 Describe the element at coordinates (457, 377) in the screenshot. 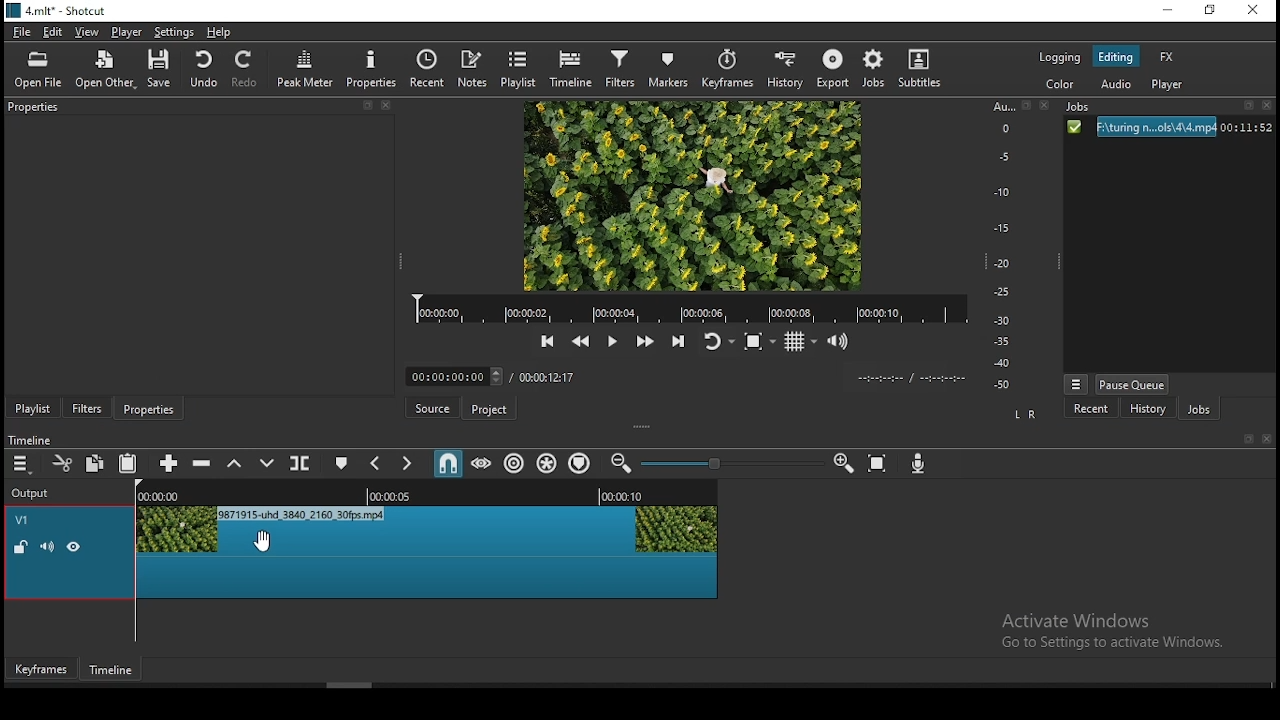

I see `Timer` at that location.